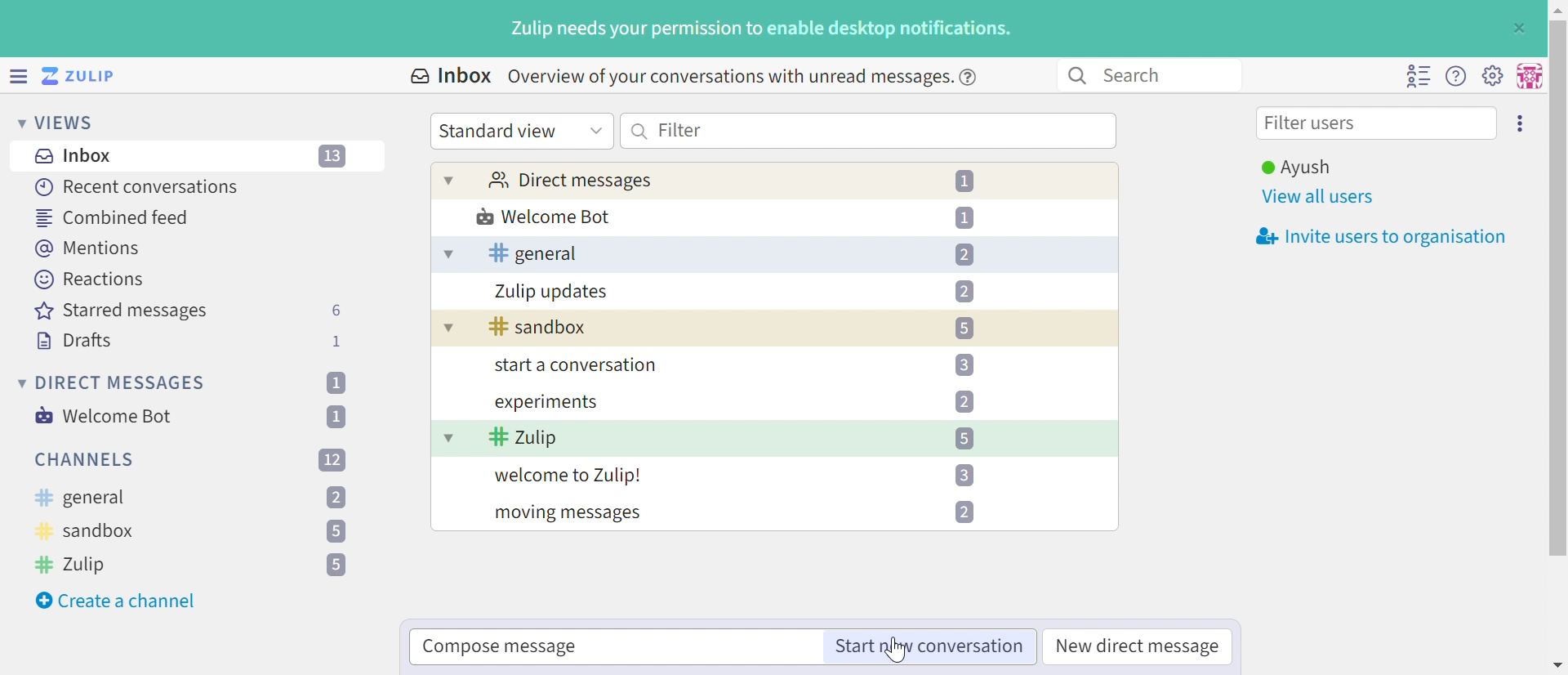 The image size is (1568, 675). What do you see at coordinates (963, 438) in the screenshot?
I see `5` at bounding box center [963, 438].